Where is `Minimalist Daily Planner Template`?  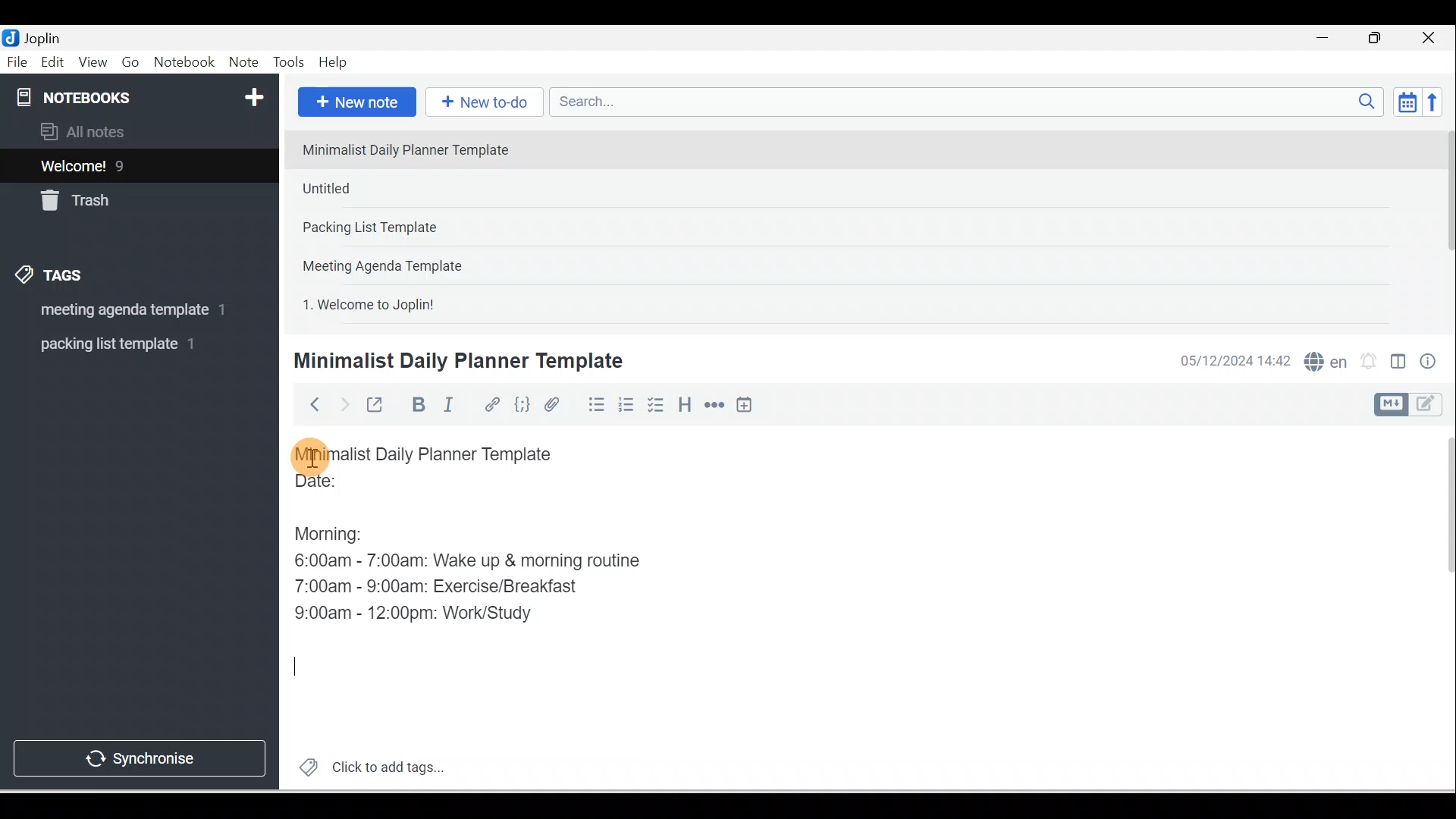
Minimalist Daily Planner Template is located at coordinates (438, 454).